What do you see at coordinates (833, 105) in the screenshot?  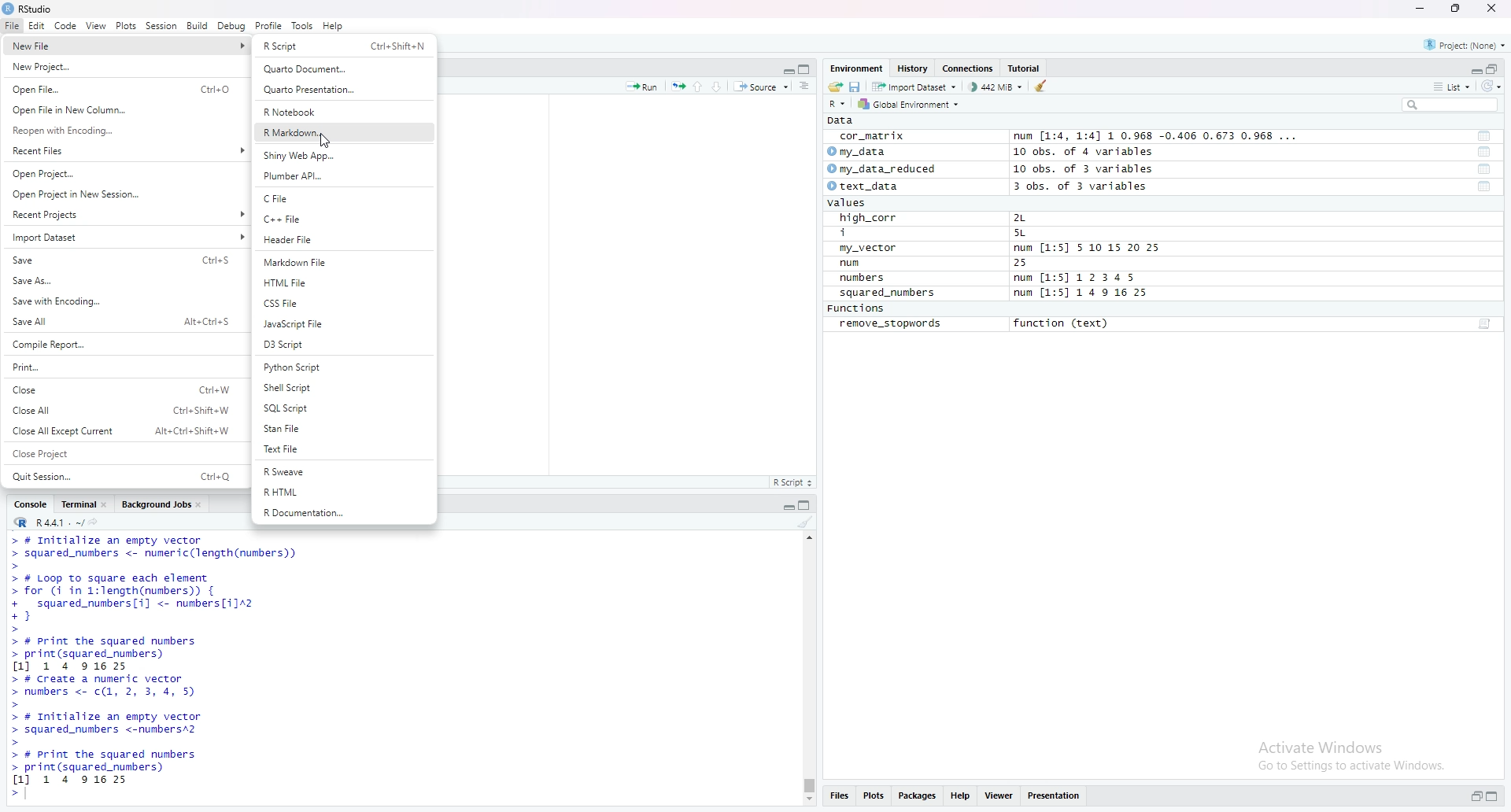 I see `R` at bounding box center [833, 105].